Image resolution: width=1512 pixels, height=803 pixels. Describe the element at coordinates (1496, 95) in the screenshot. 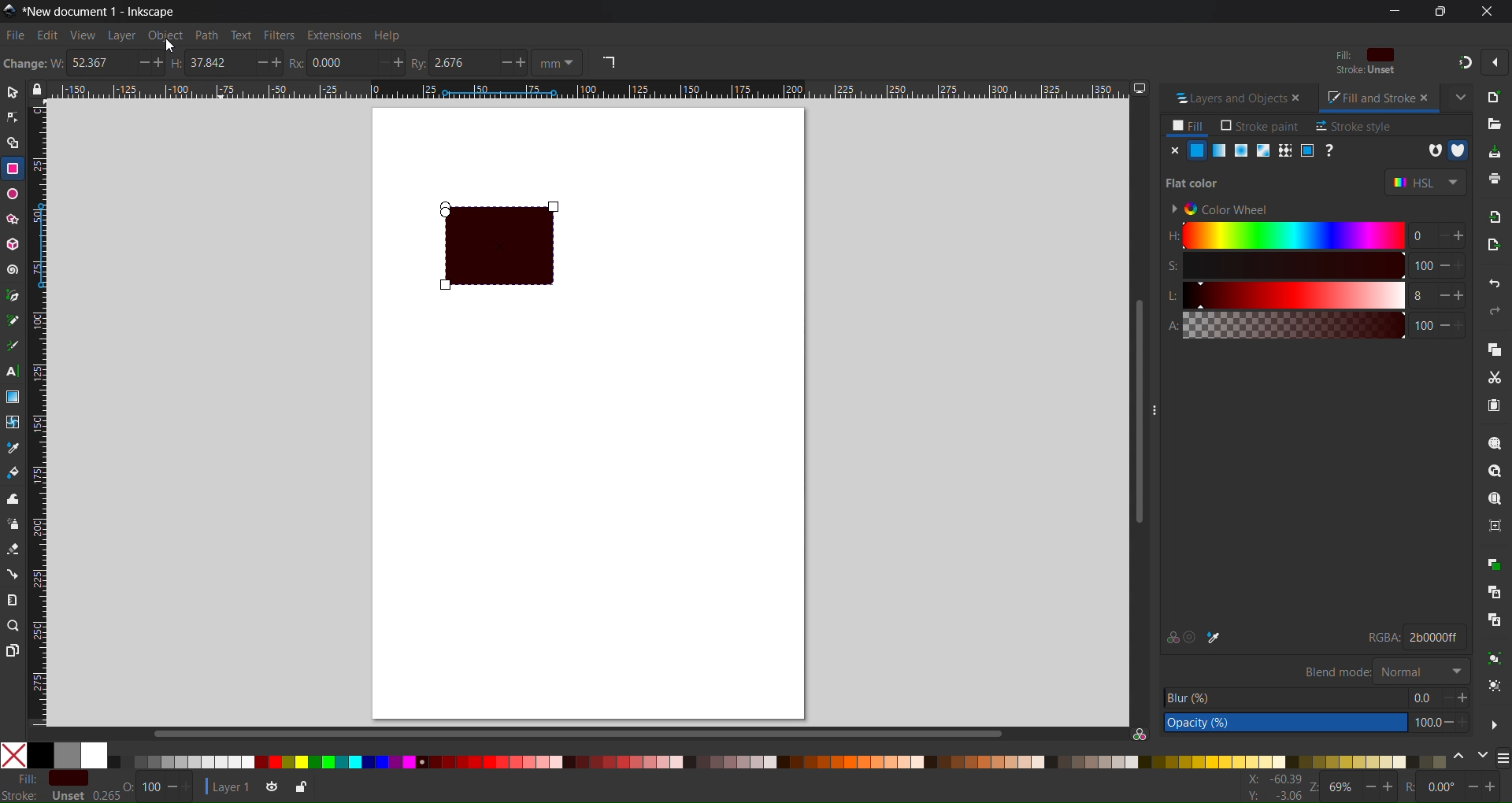

I see `New` at that location.